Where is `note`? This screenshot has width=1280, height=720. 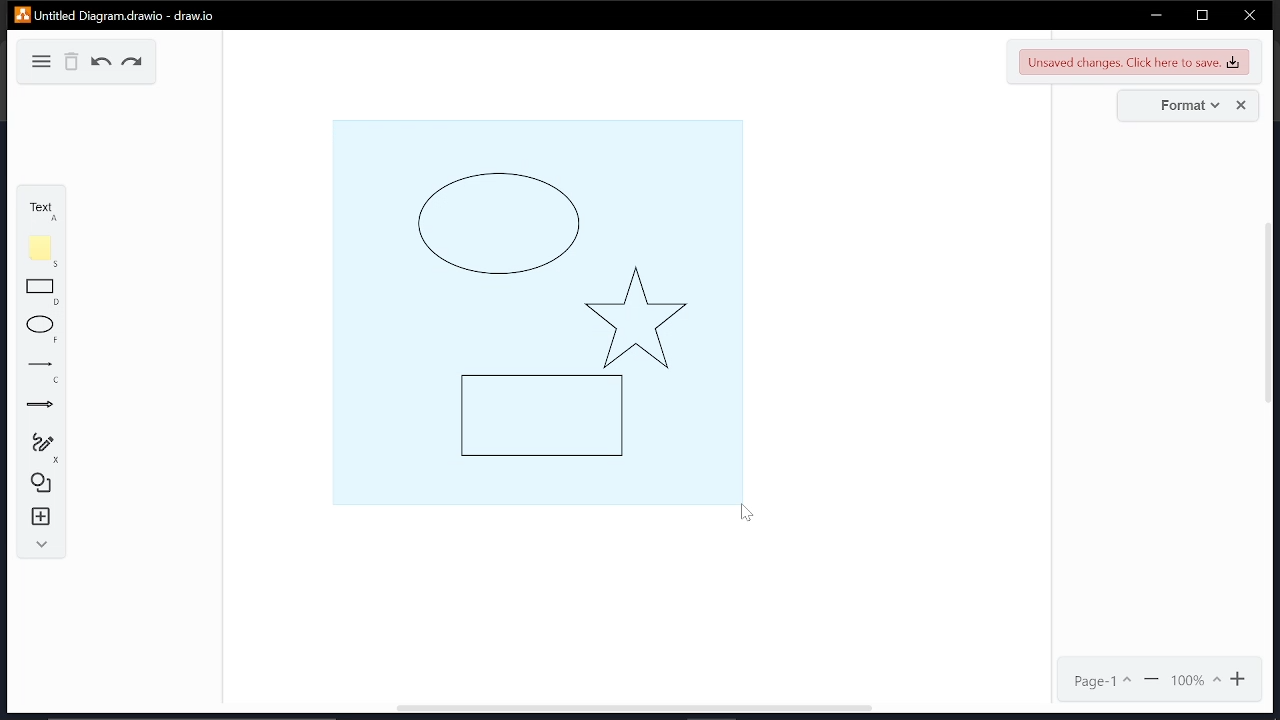
note is located at coordinates (44, 251).